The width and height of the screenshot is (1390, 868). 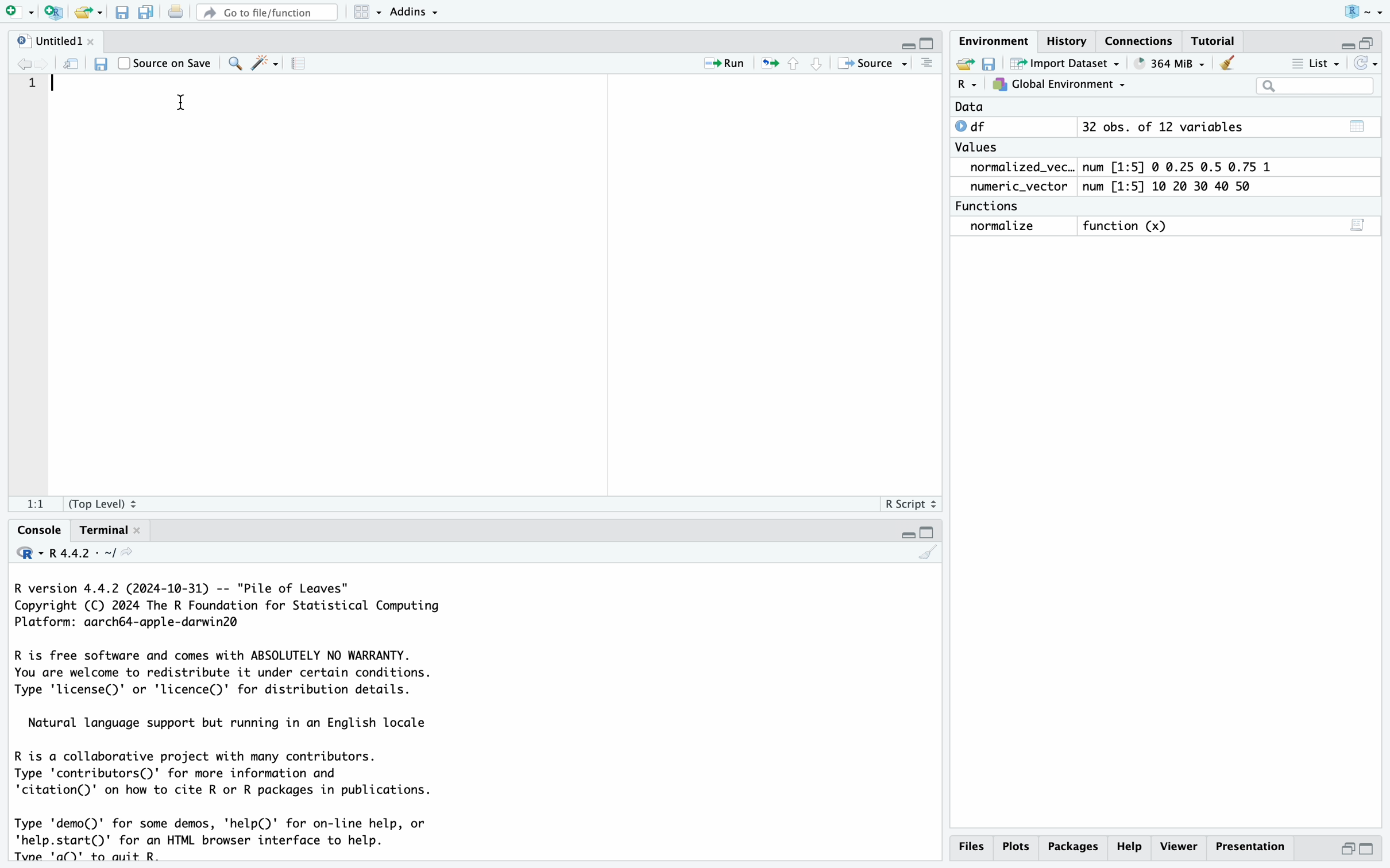 I want to click on Help, so click(x=1132, y=846).